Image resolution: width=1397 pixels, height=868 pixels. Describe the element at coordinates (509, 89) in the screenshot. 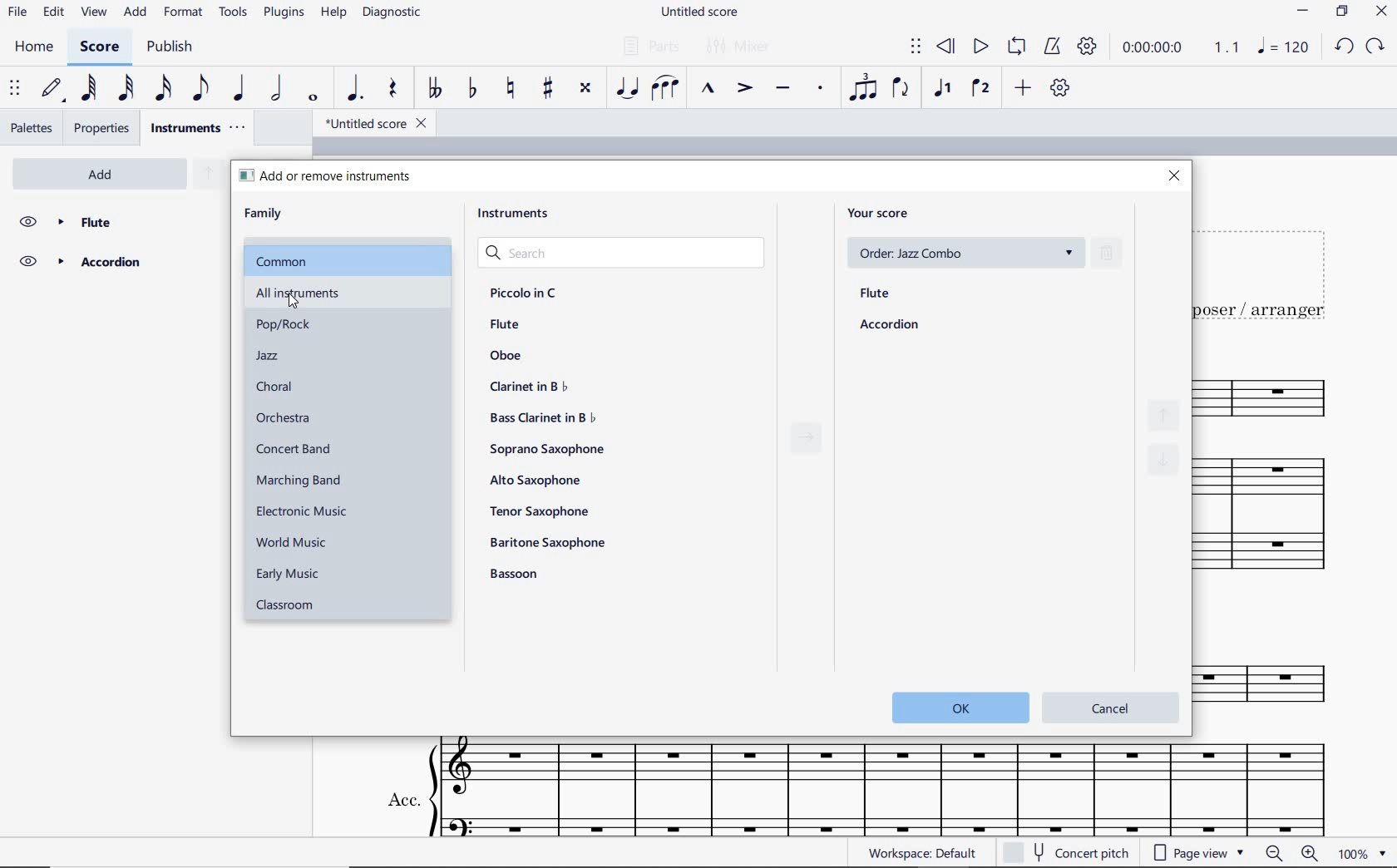

I see `toggle natural` at that location.